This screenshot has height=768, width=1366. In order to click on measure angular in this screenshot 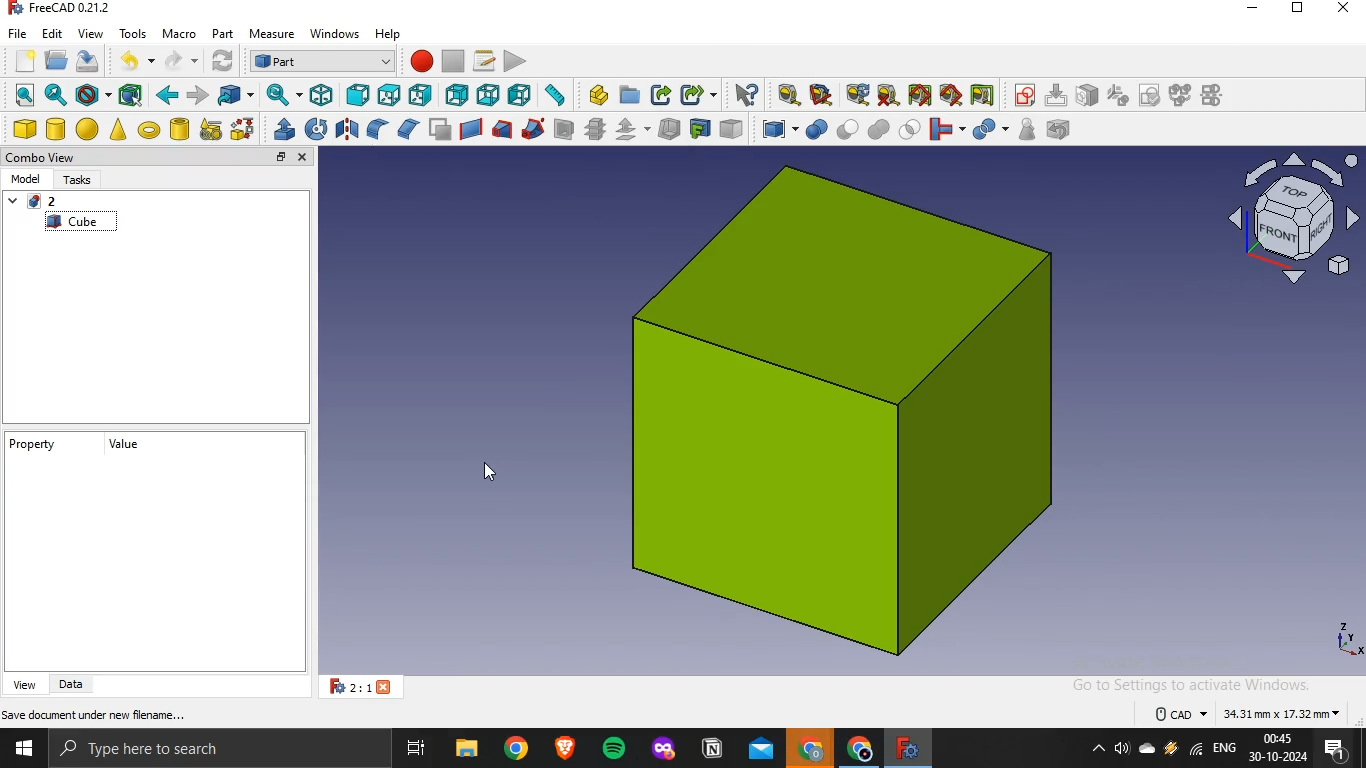, I will do `click(822, 95)`.